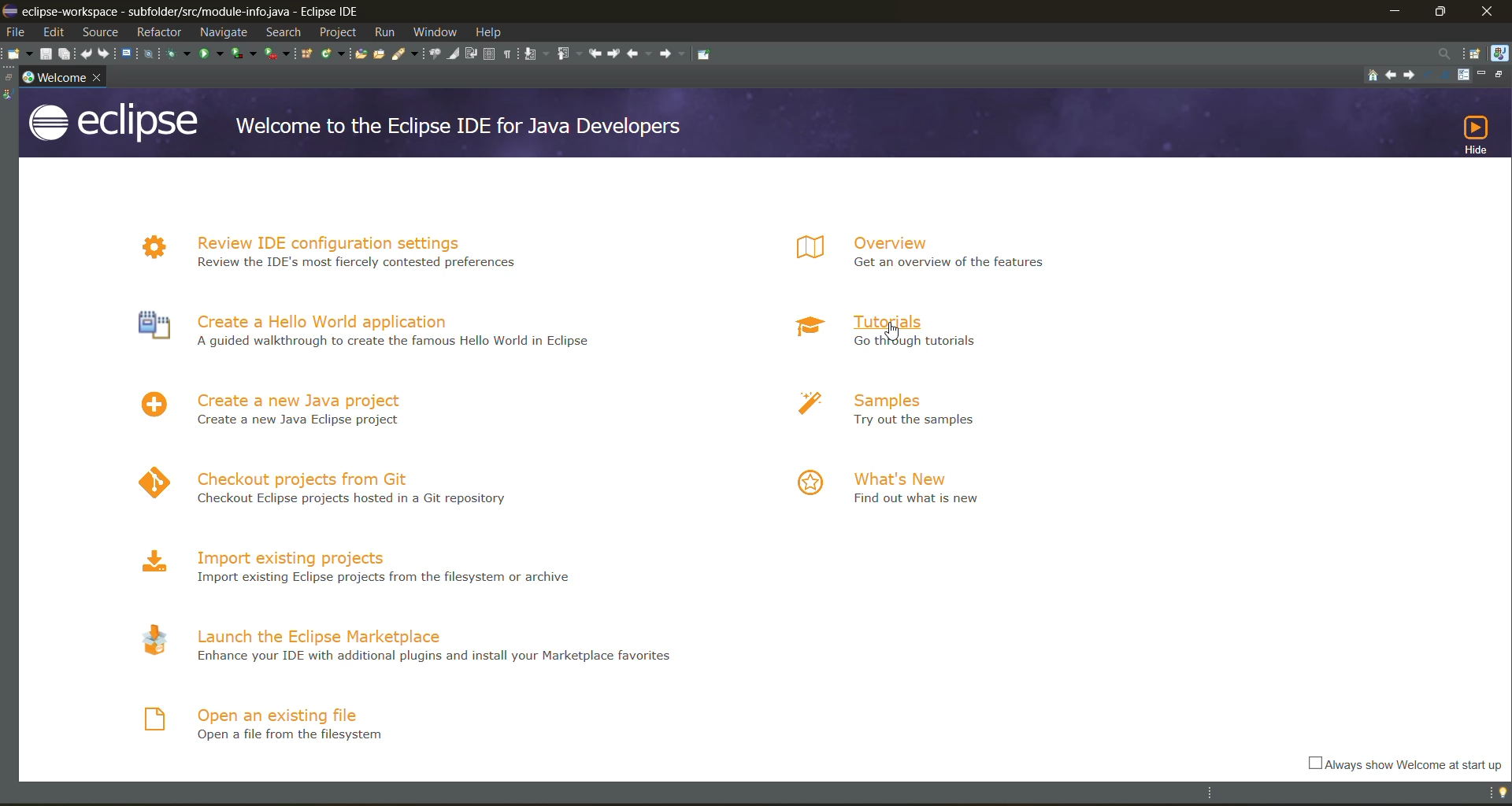 The width and height of the screenshot is (1512, 806). Describe the element at coordinates (128, 52) in the screenshot. I see `open a terminal` at that location.